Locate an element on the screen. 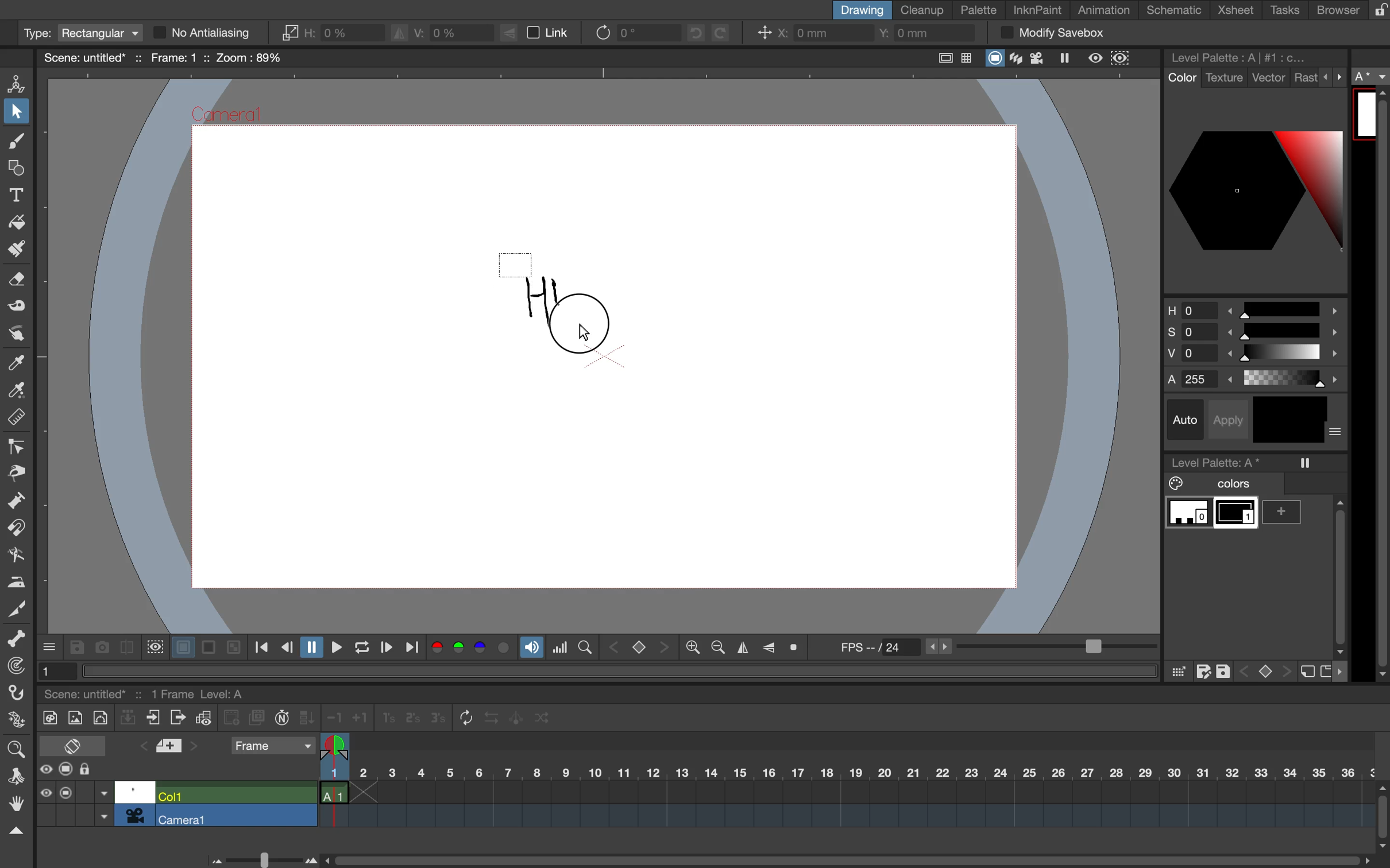 The width and height of the screenshot is (1390, 868). add new memo is located at coordinates (171, 749).